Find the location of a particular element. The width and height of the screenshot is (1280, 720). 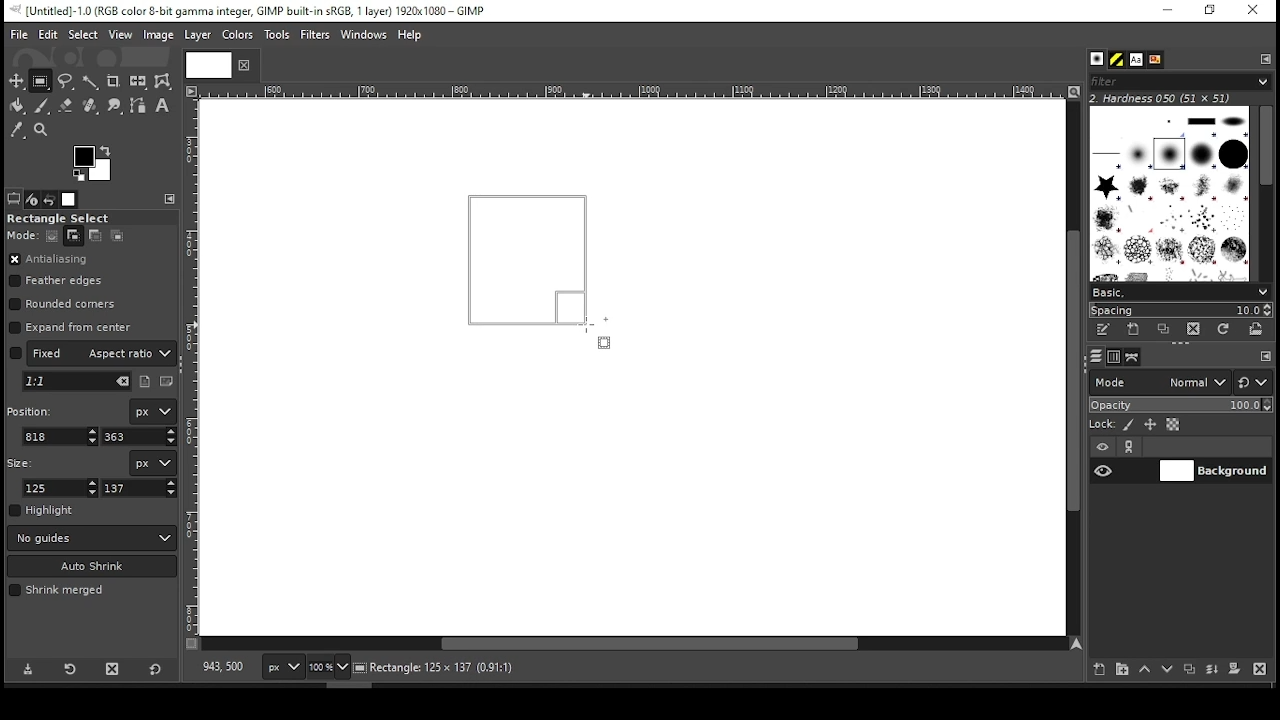

image is located at coordinates (157, 35).